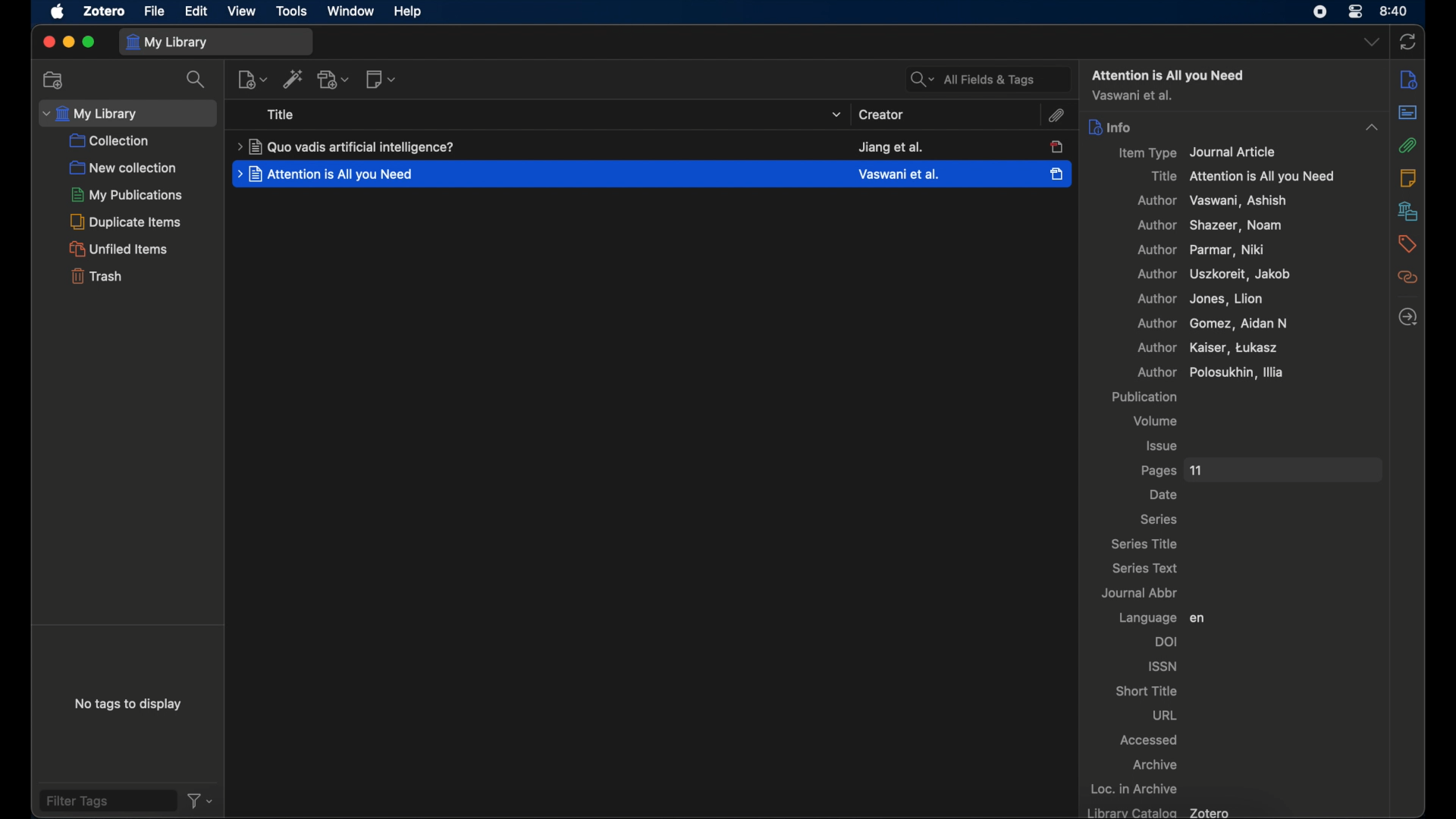 The height and width of the screenshot is (819, 1456). Describe the element at coordinates (409, 12) in the screenshot. I see `help` at that location.